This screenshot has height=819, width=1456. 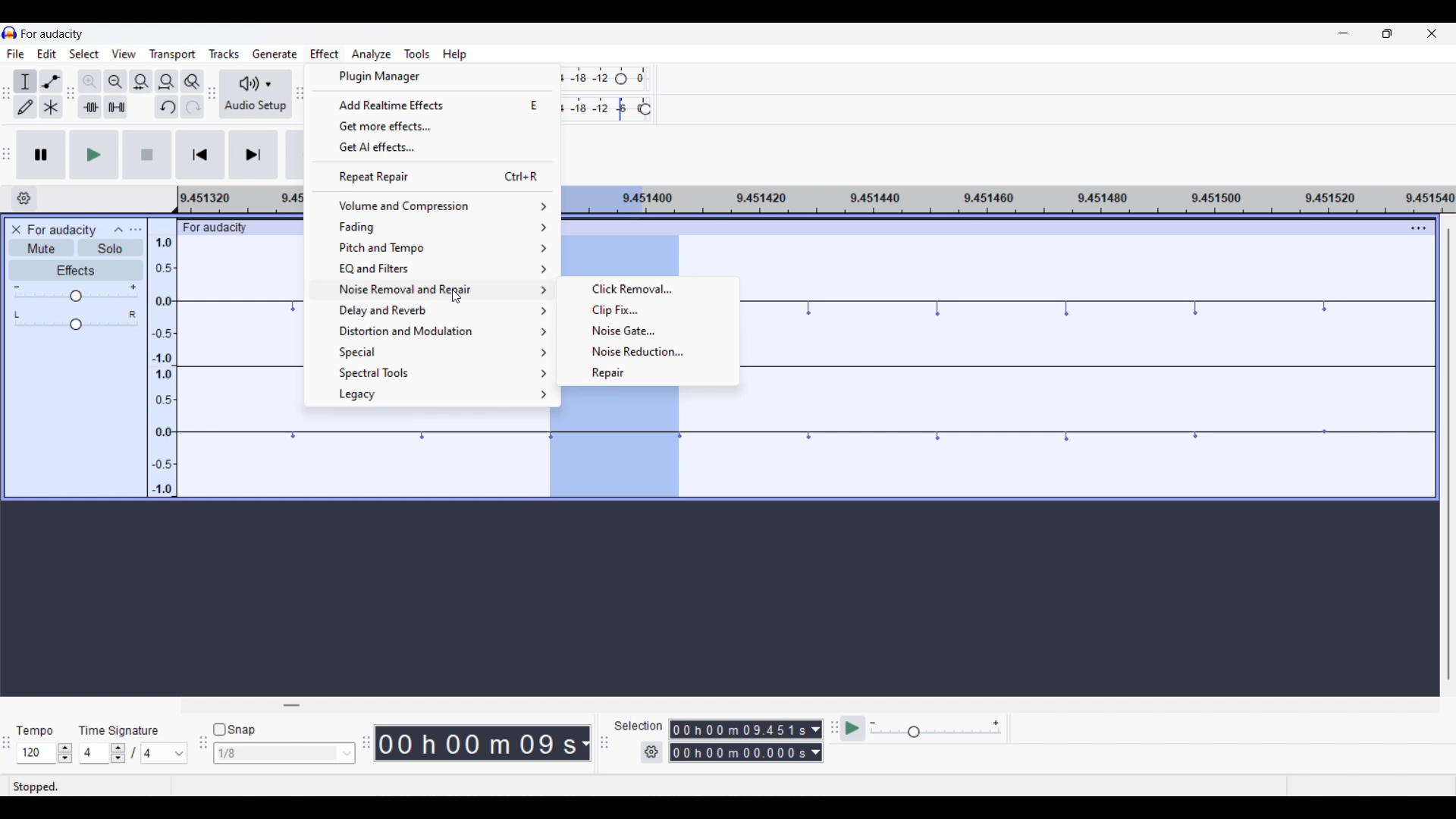 What do you see at coordinates (46, 53) in the screenshot?
I see `Edit menu` at bounding box center [46, 53].